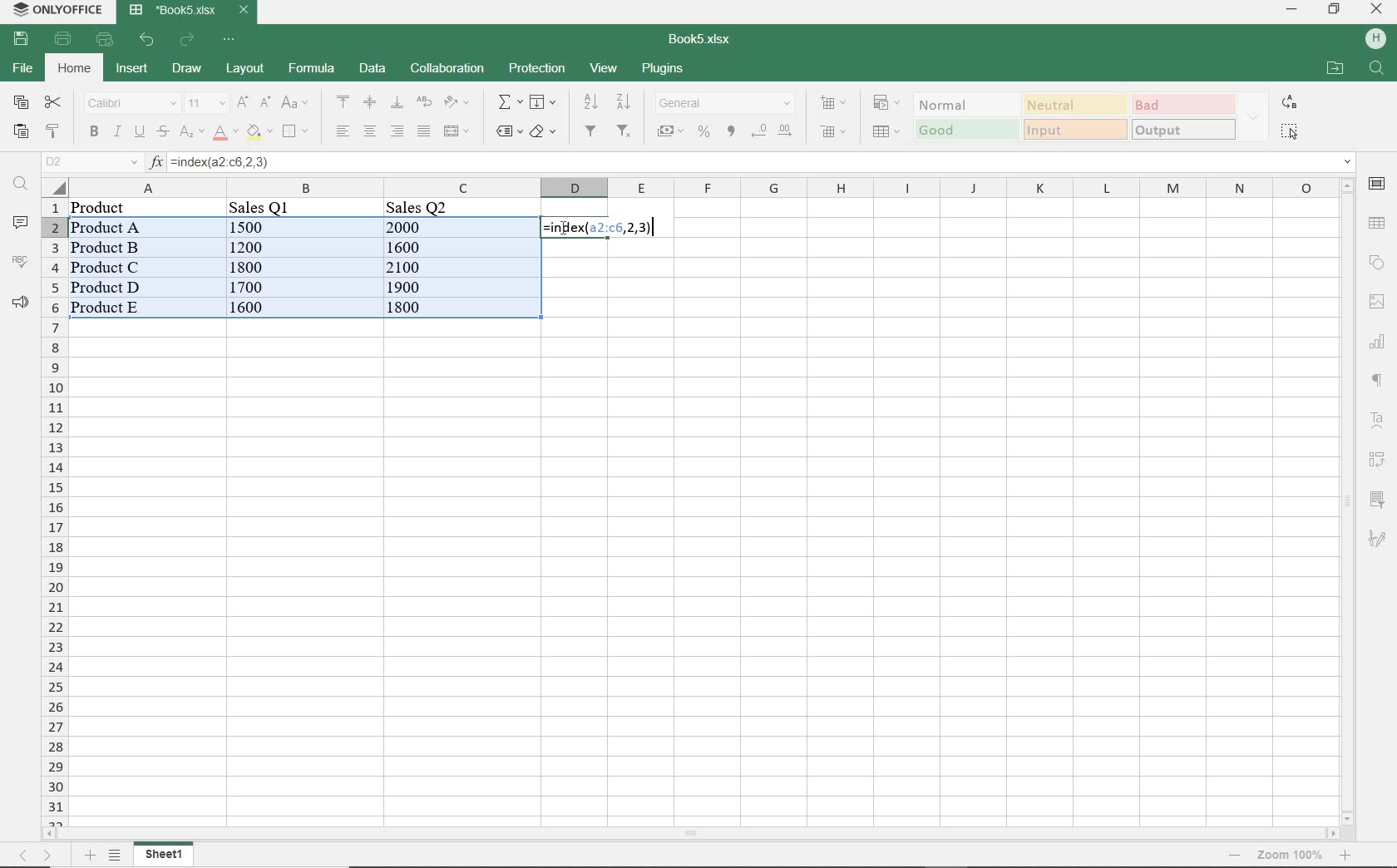  I want to click on comments, so click(19, 223).